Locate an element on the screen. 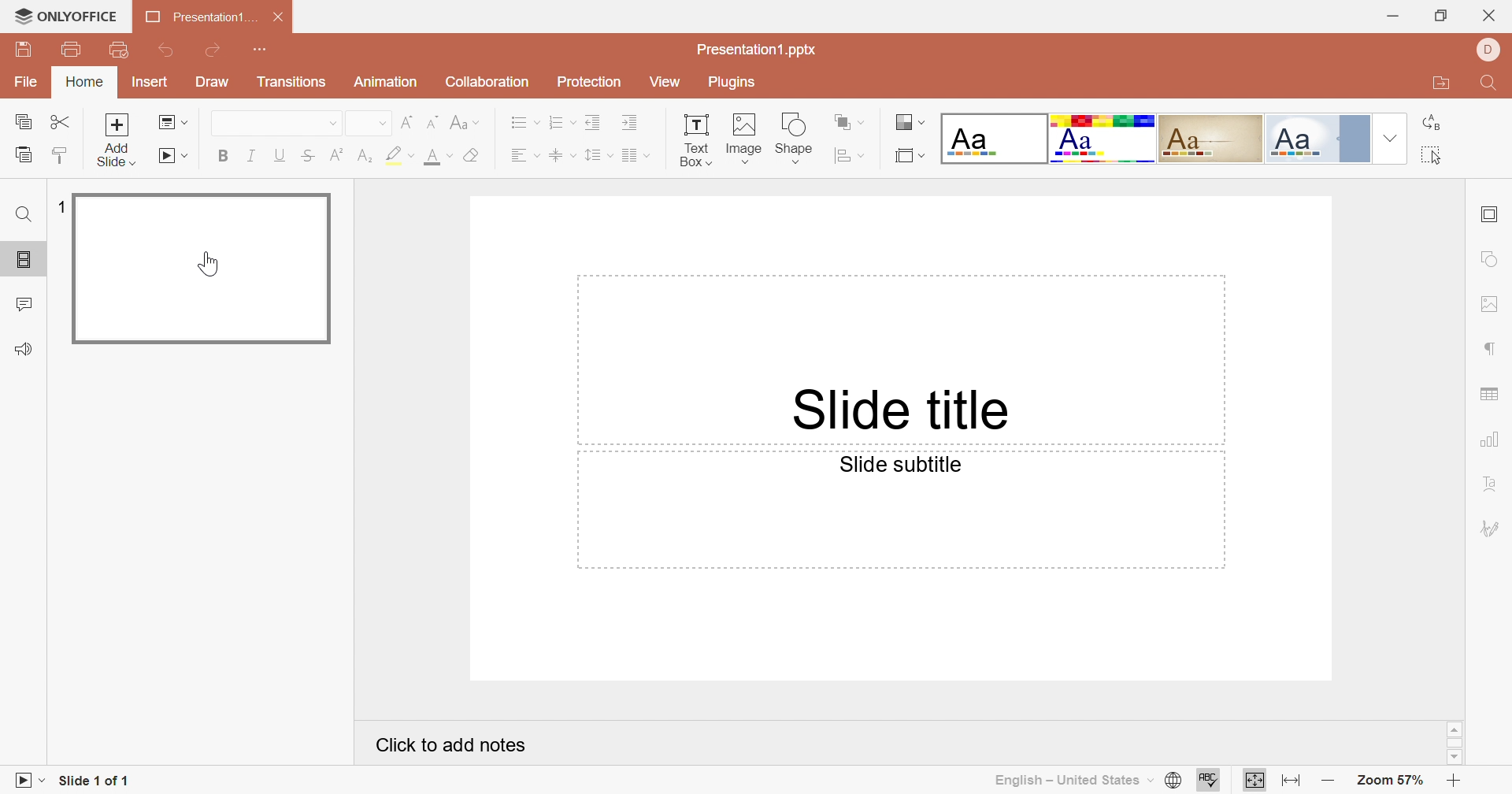 The height and width of the screenshot is (794, 1512). Increment font size is located at coordinates (404, 119).